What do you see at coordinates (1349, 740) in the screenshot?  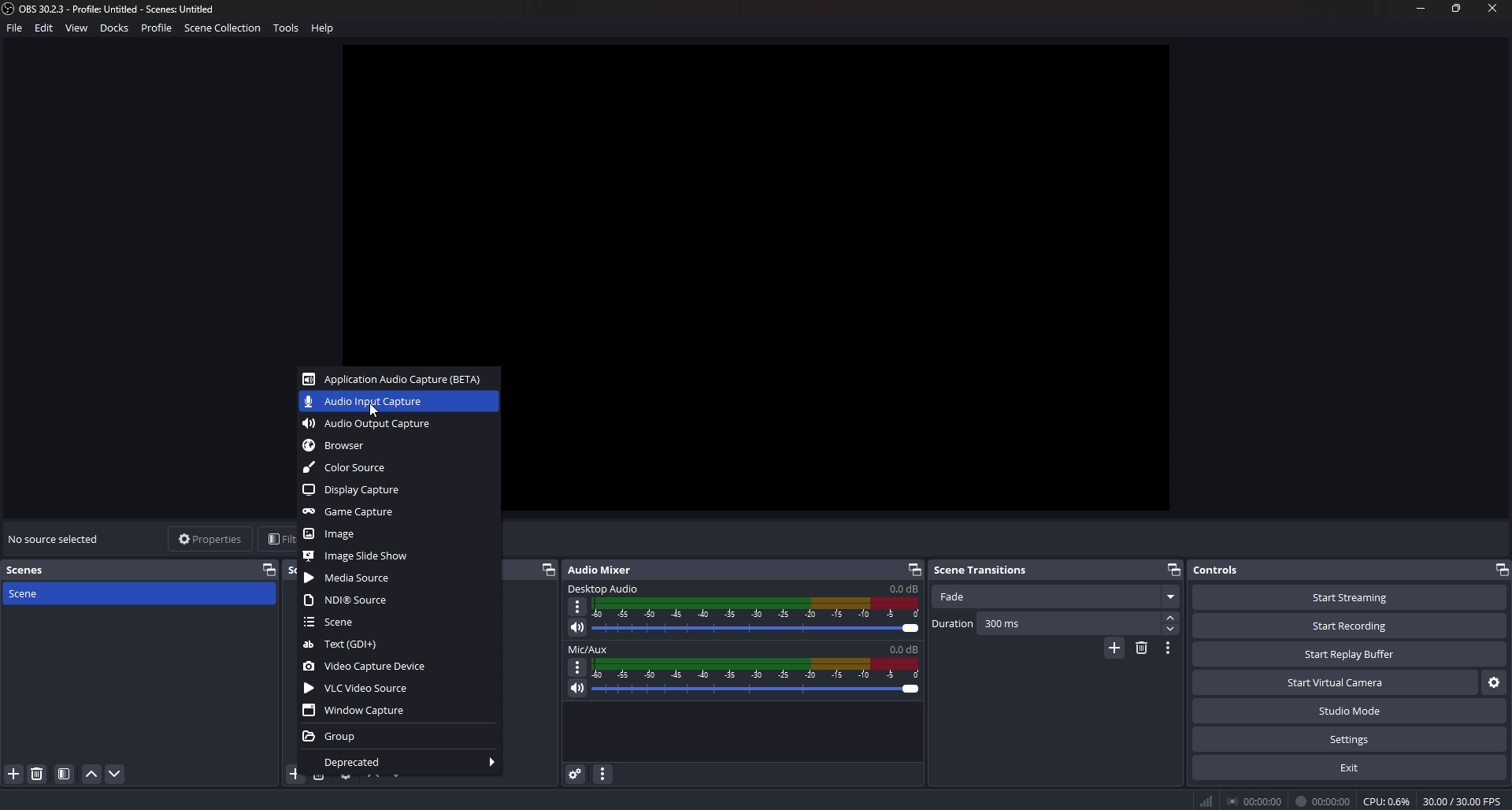 I see `settings` at bounding box center [1349, 740].